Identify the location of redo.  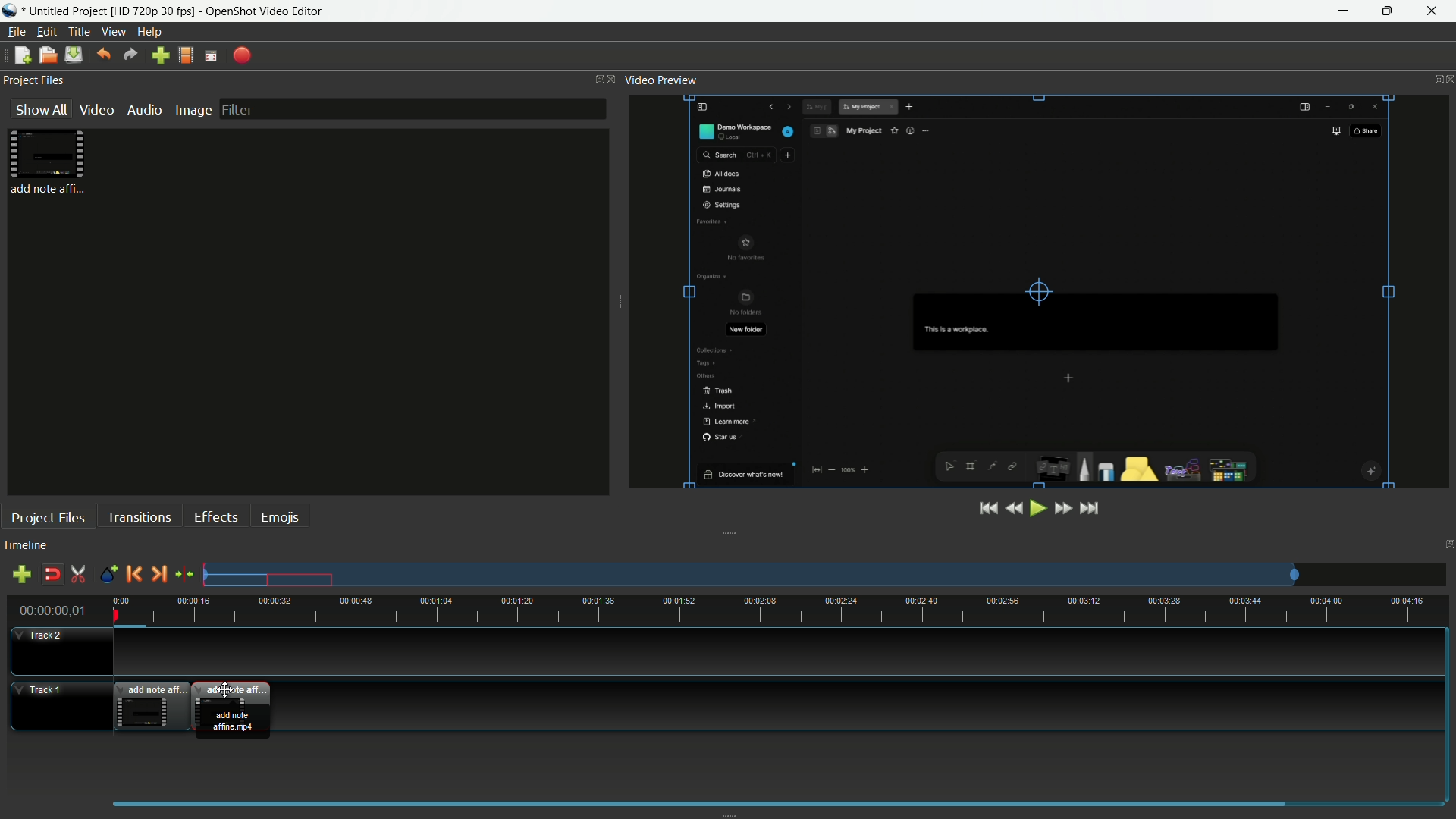
(130, 55).